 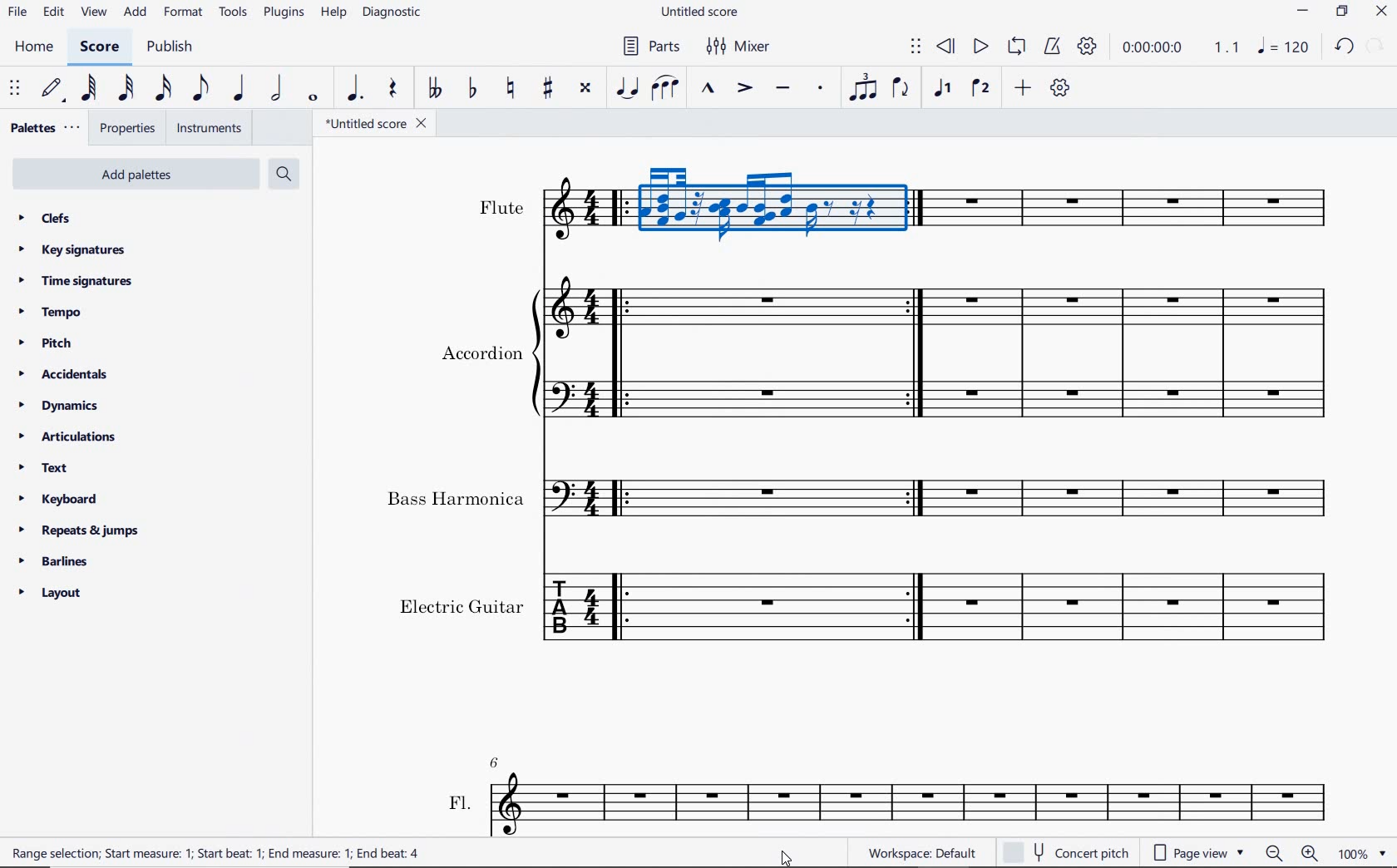 I want to click on flip direction, so click(x=901, y=89).